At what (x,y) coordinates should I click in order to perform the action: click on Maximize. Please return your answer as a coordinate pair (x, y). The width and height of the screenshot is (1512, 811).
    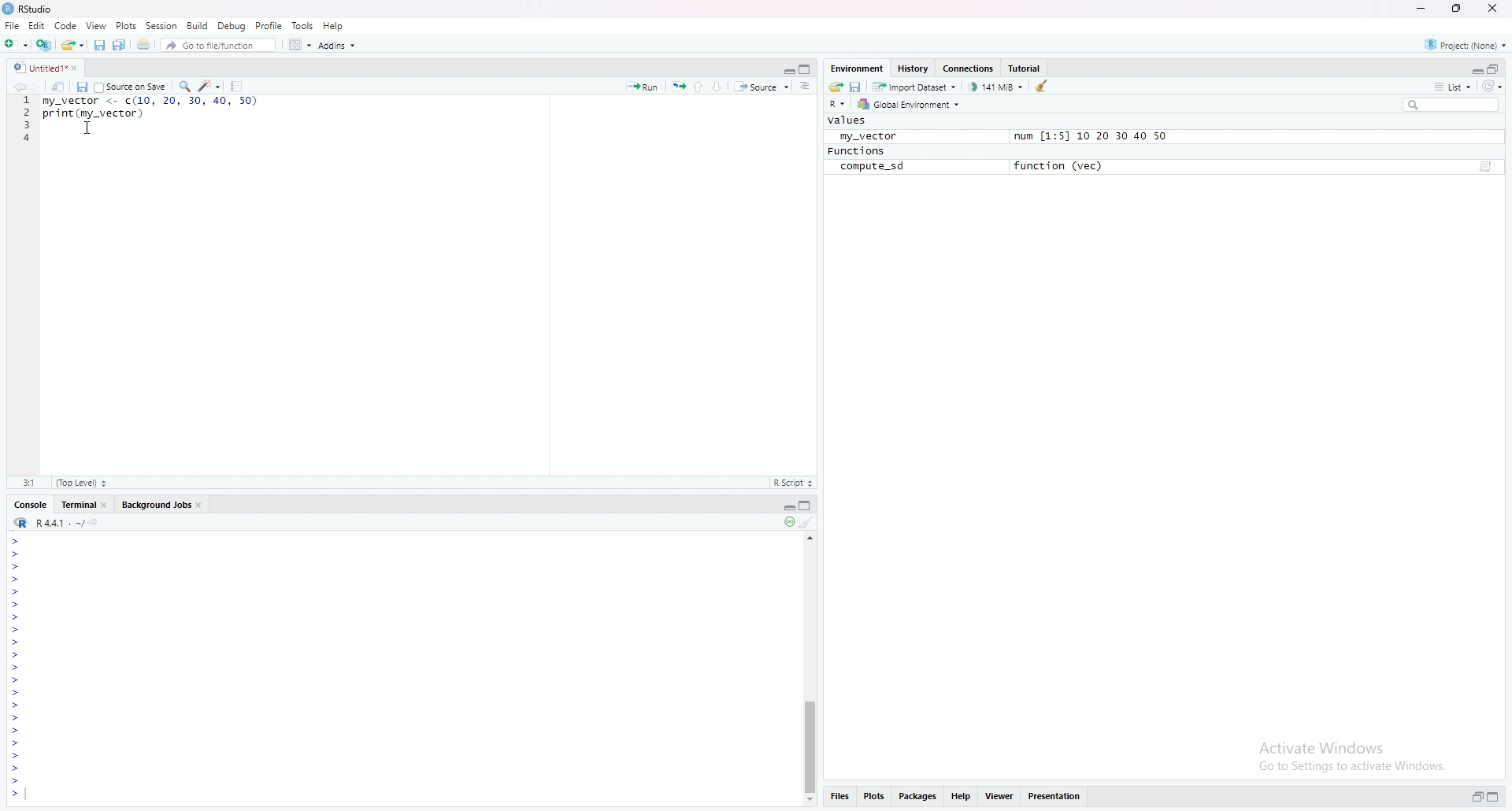
    Looking at the image, I should click on (1493, 796).